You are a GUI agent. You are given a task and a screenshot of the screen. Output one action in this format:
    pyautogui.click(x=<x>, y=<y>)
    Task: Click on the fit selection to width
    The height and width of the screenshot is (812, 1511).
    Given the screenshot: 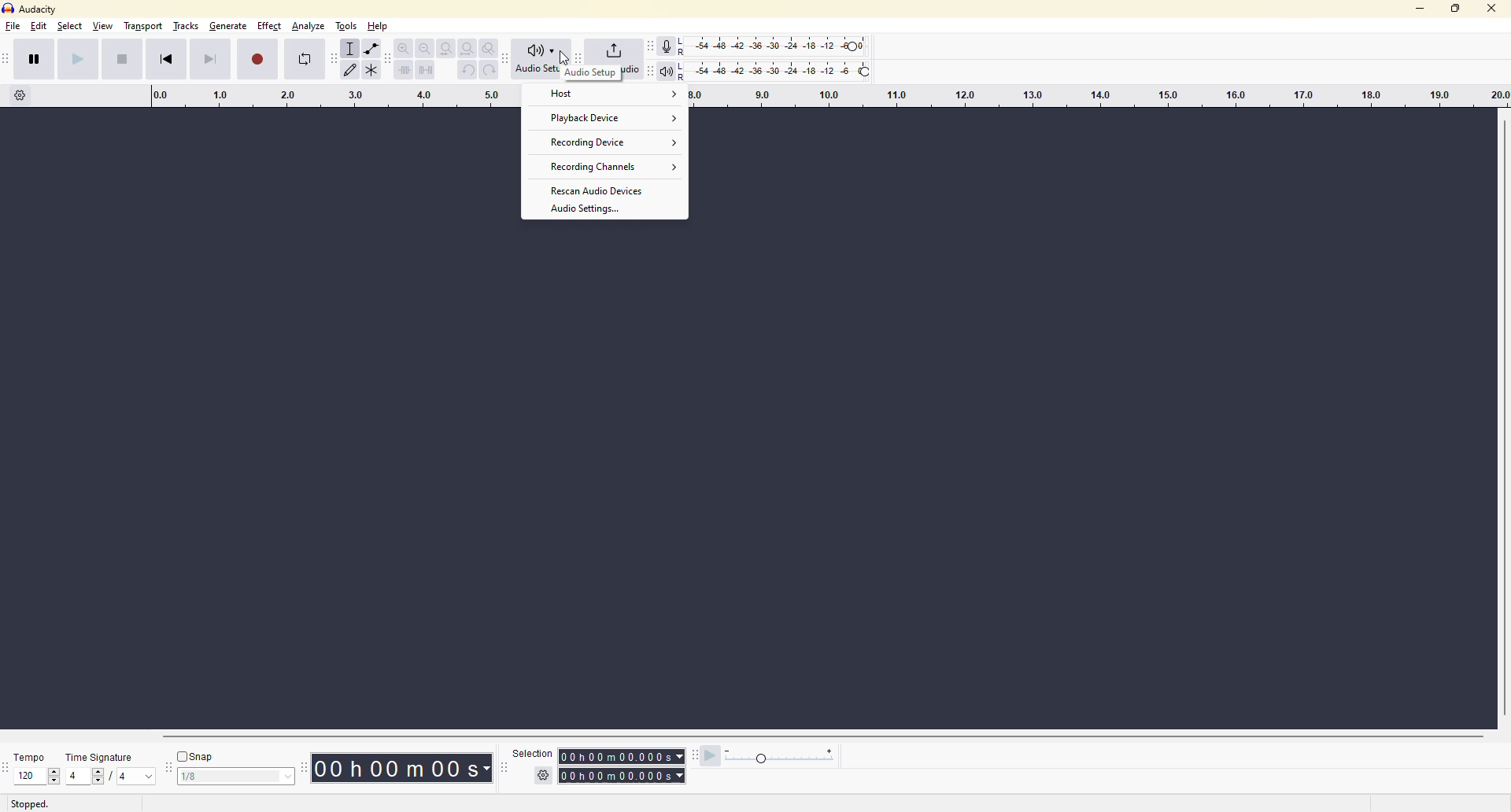 What is the action you would take?
    pyautogui.click(x=446, y=47)
    